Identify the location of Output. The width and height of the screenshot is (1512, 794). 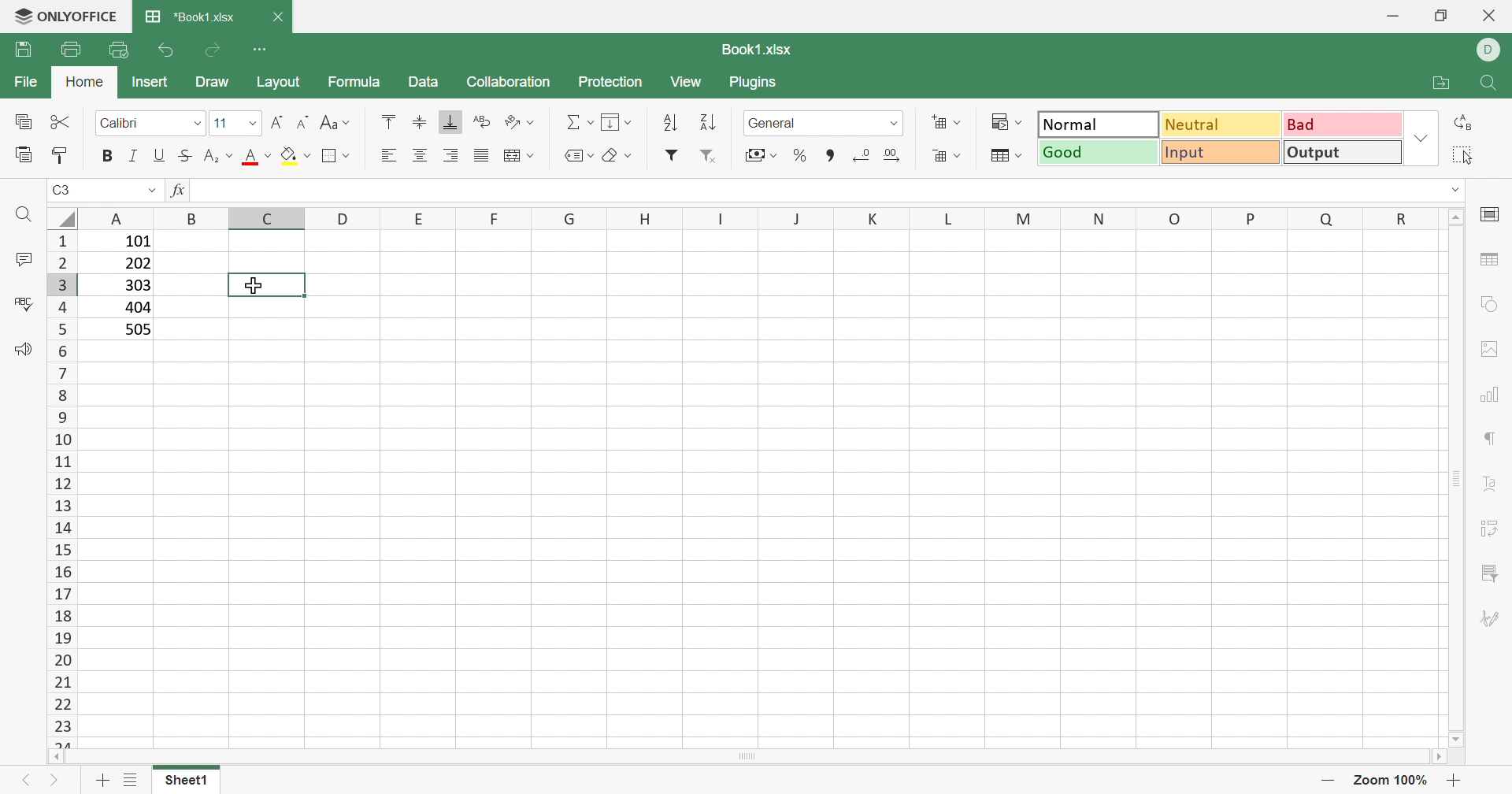
(1344, 151).